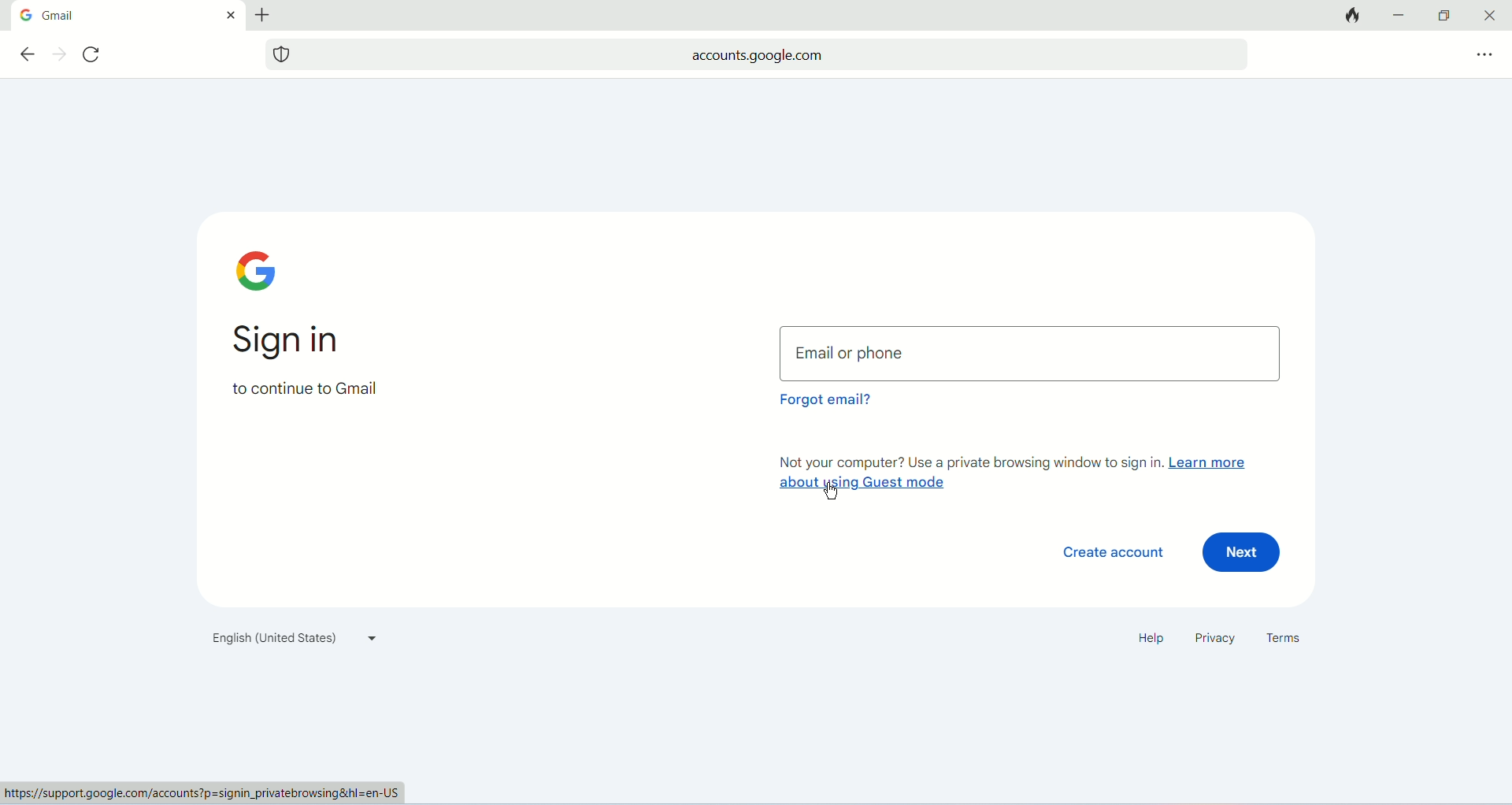  What do you see at coordinates (60, 54) in the screenshot?
I see `next` at bounding box center [60, 54].